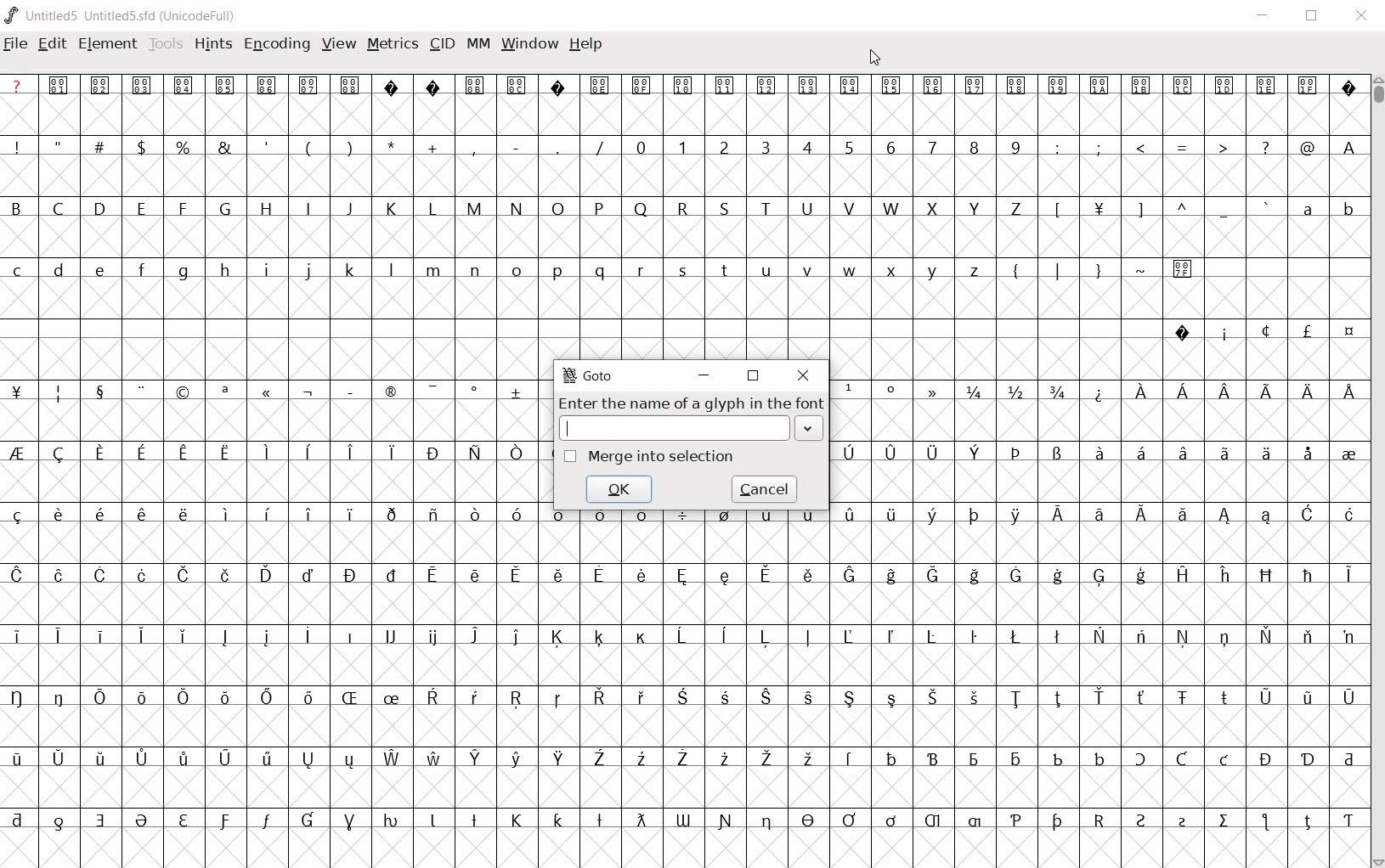  What do you see at coordinates (599, 759) in the screenshot?
I see `Symbol` at bounding box center [599, 759].